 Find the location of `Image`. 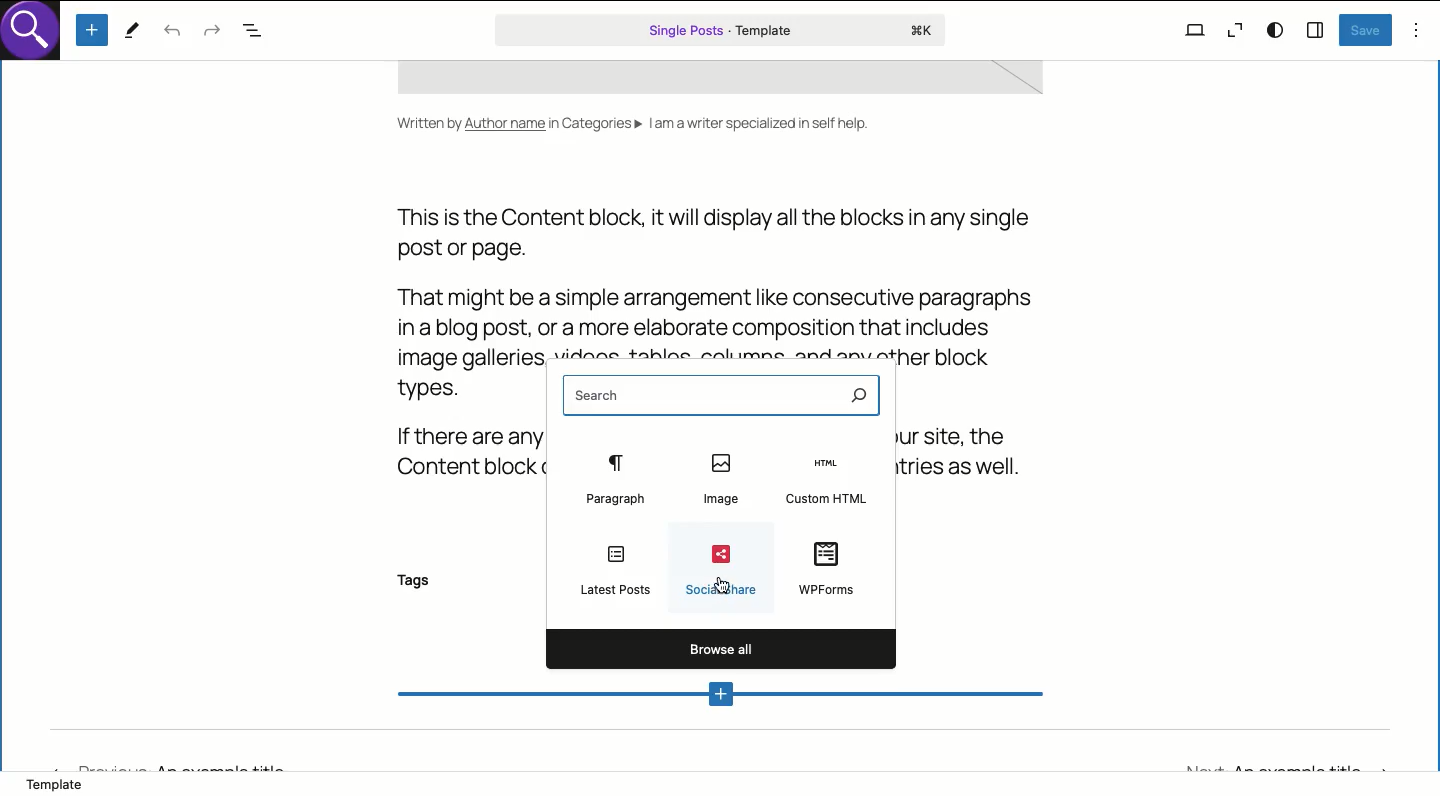

Image is located at coordinates (725, 478).